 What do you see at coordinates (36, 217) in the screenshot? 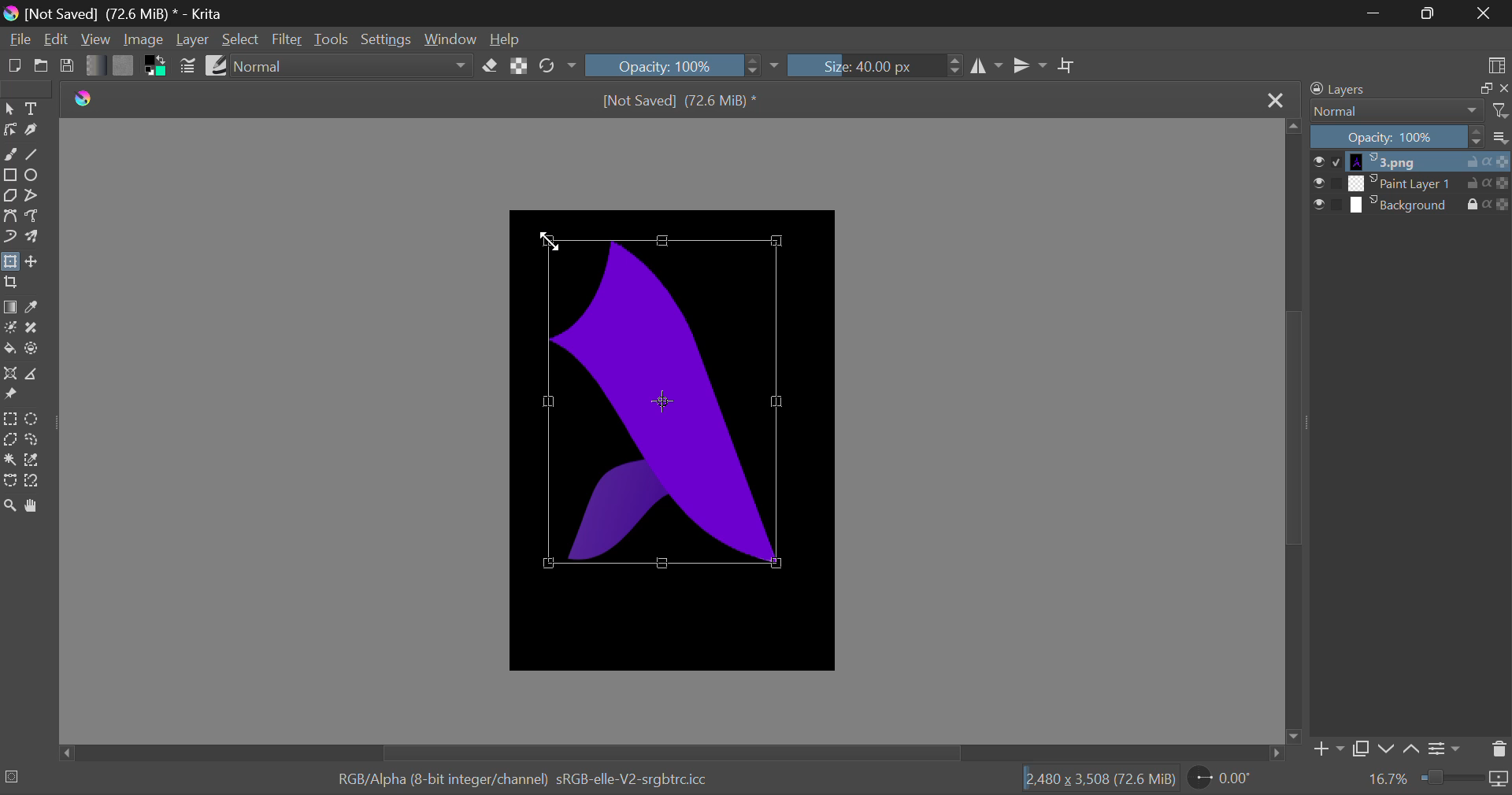
I see `Freehand Path Tool` at bounding box center [36, 217].